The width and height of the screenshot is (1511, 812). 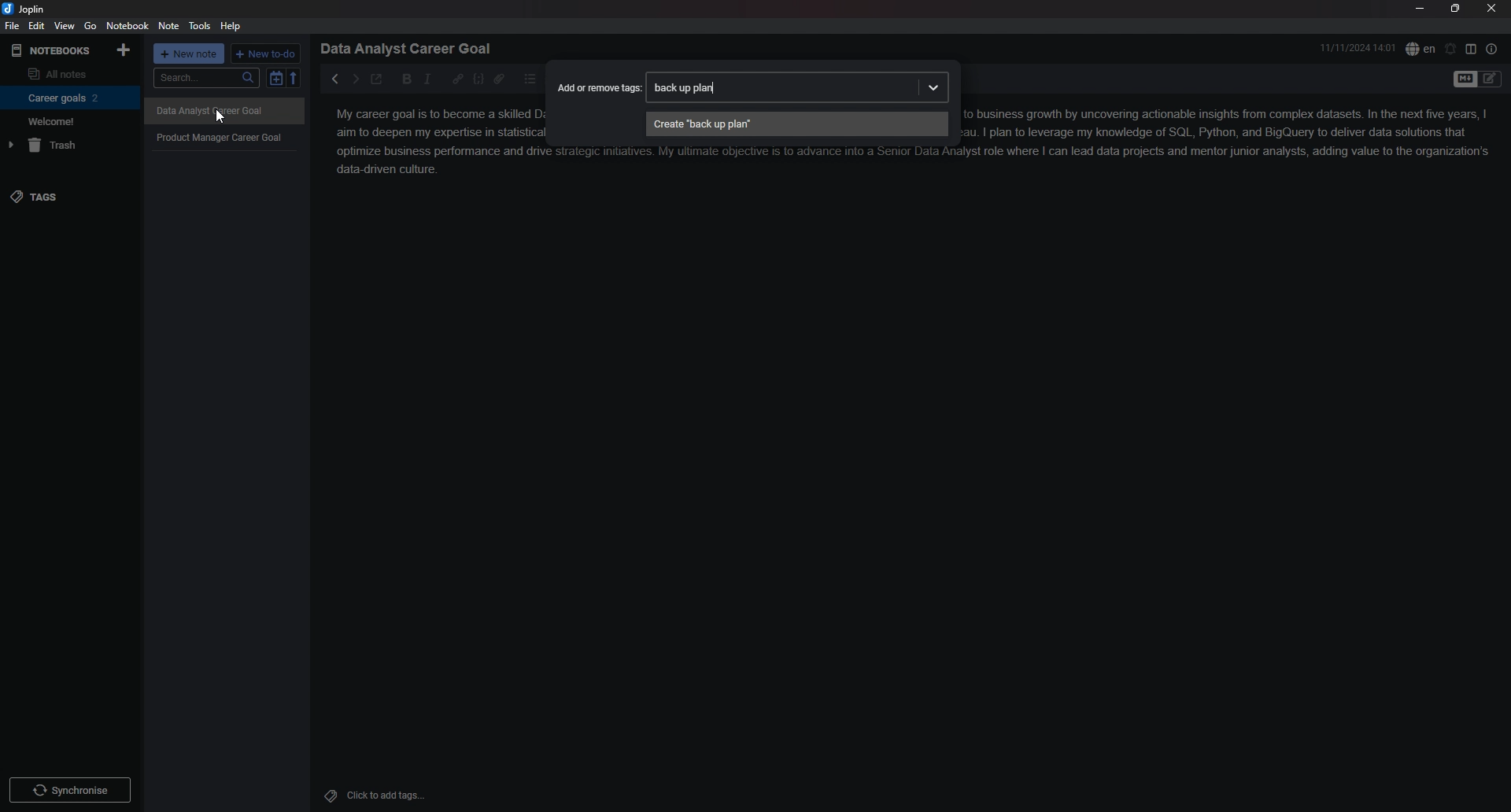 I want to click on help, so click(x=231, y=27).